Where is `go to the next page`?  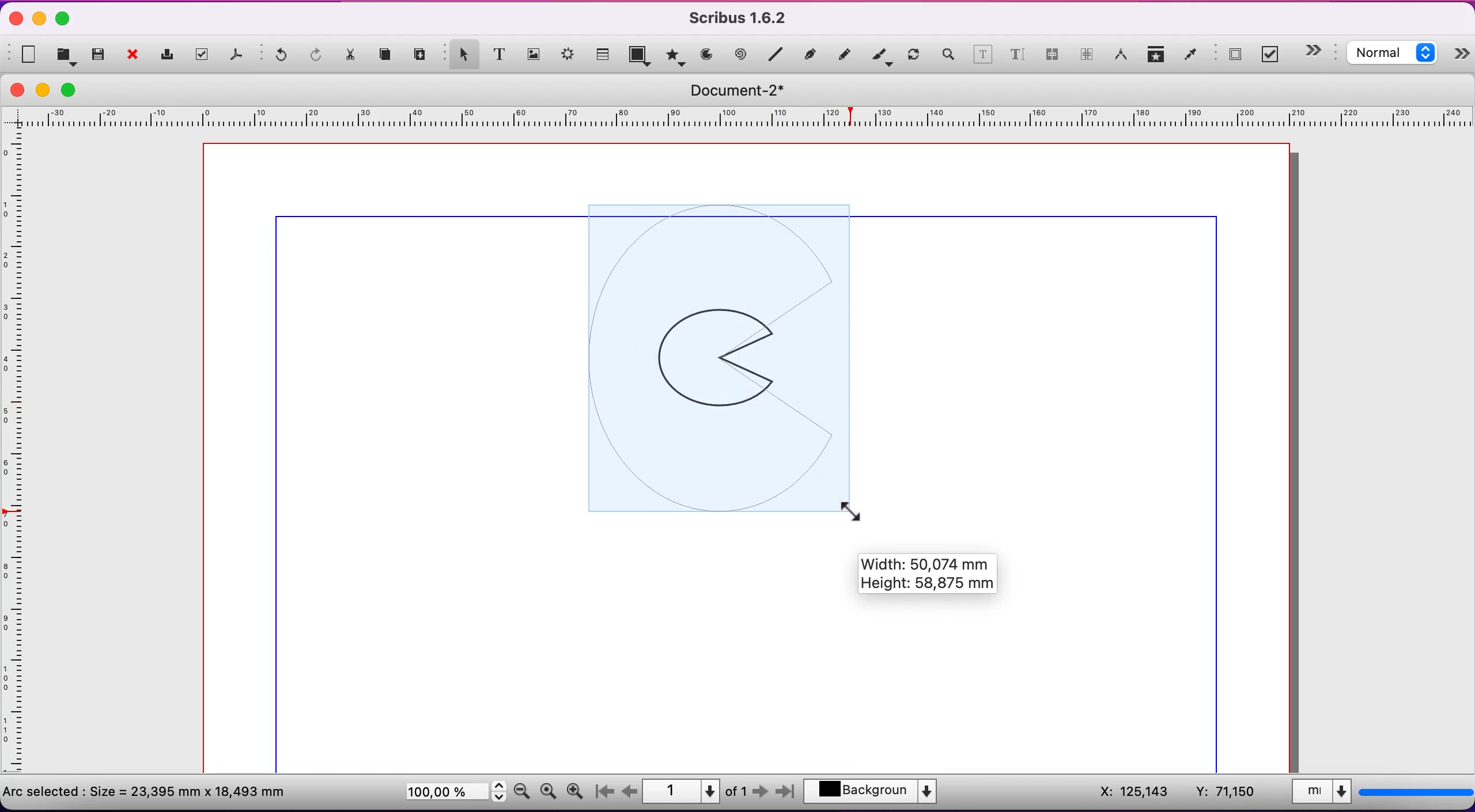
go to the next page is located at coordinates (762, 794).